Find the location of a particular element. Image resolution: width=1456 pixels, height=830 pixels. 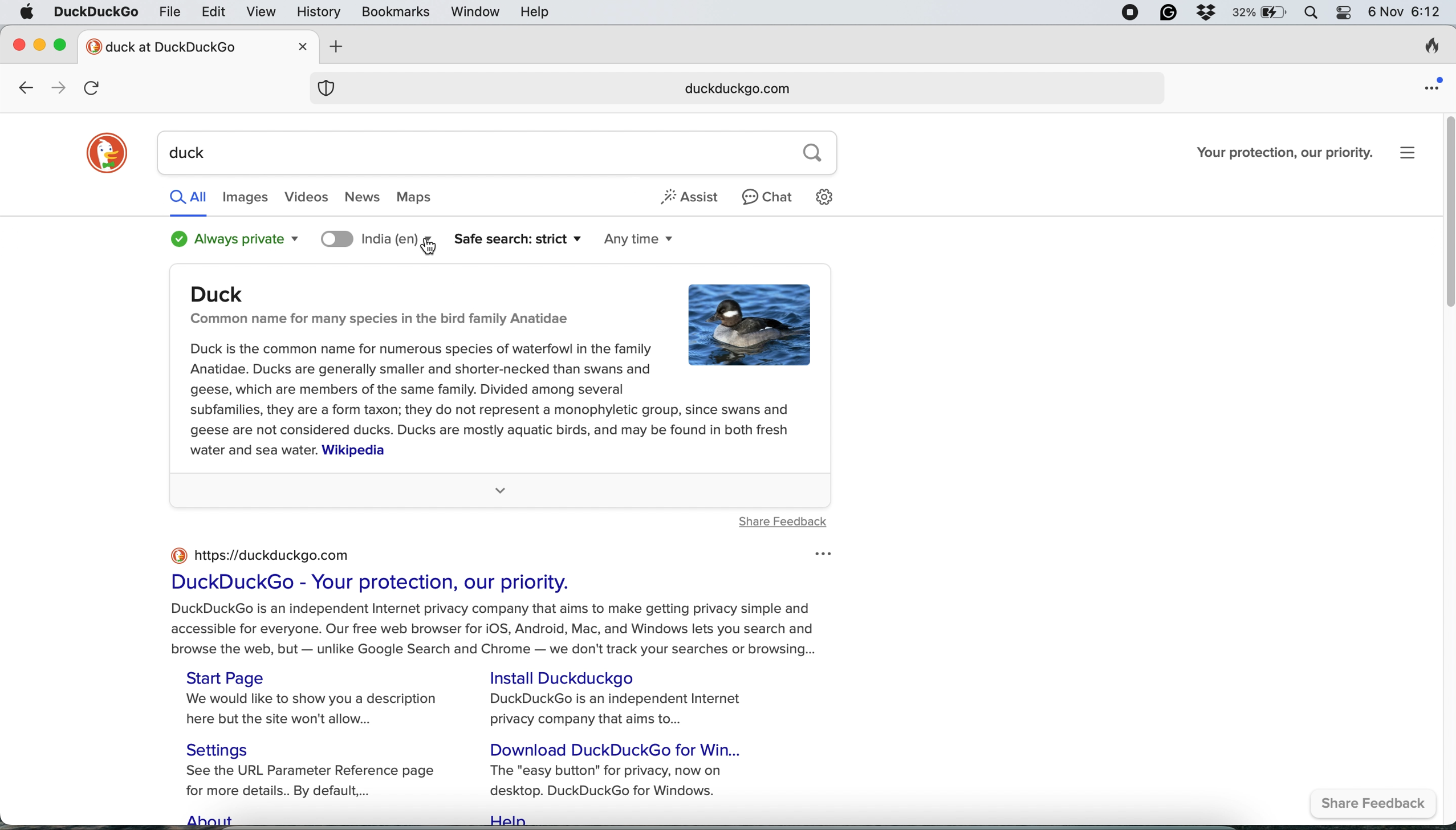

dropbox is located at coordinates (1206, 13).